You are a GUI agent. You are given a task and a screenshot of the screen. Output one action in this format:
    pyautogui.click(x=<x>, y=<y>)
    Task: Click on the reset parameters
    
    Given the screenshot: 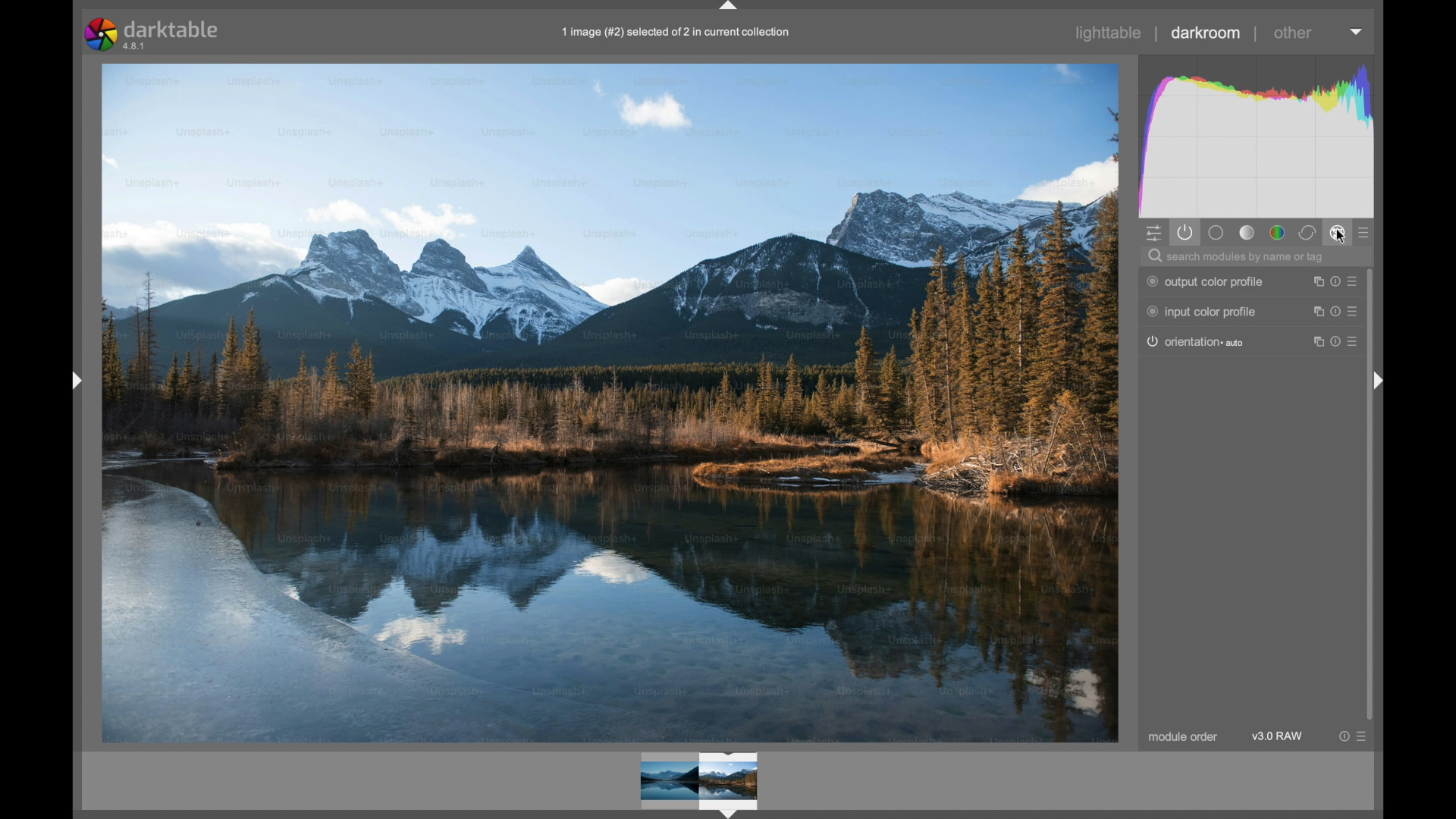 What is the action you would take?
    pyautogui.click(x=1341, y=736)
    